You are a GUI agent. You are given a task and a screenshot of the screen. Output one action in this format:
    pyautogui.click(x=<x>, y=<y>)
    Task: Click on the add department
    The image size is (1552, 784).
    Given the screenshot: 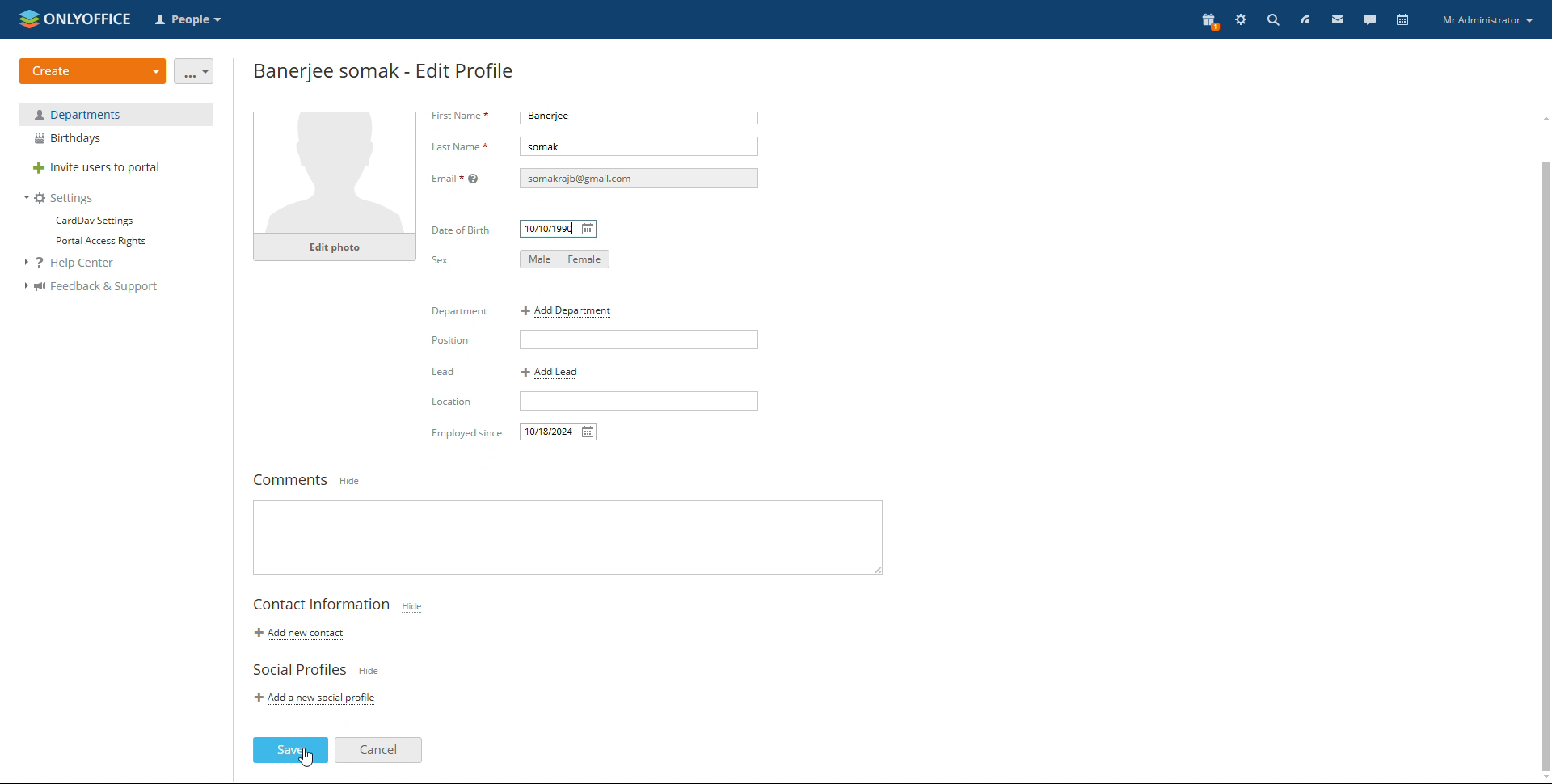 What is the action you would take?
    pyautogui.click(x=572, y=311)
    